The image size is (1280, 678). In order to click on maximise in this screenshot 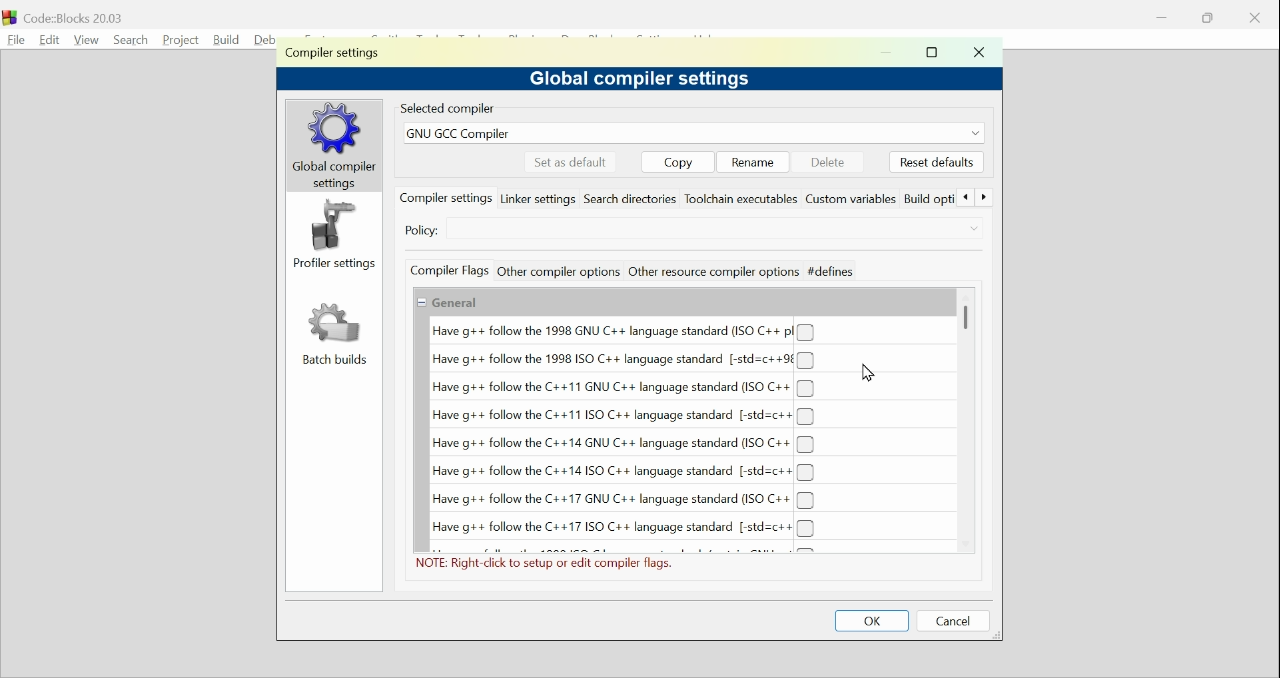, I will do `click(935, 54)`.